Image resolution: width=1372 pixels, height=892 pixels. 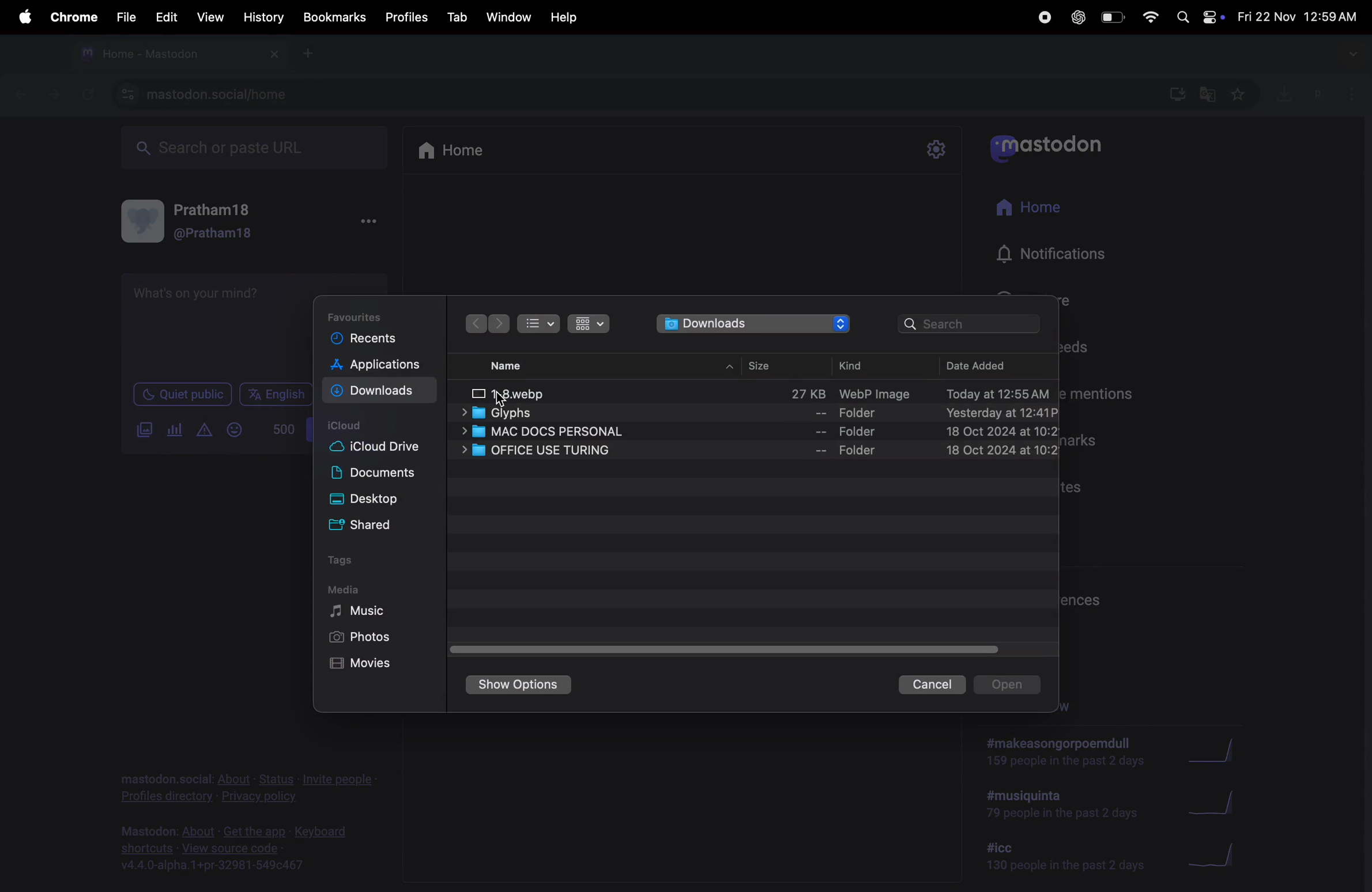 What do you see at coordinates (359, 639) in the screenshot?
I see `photos` at bounding box center [359, 639].